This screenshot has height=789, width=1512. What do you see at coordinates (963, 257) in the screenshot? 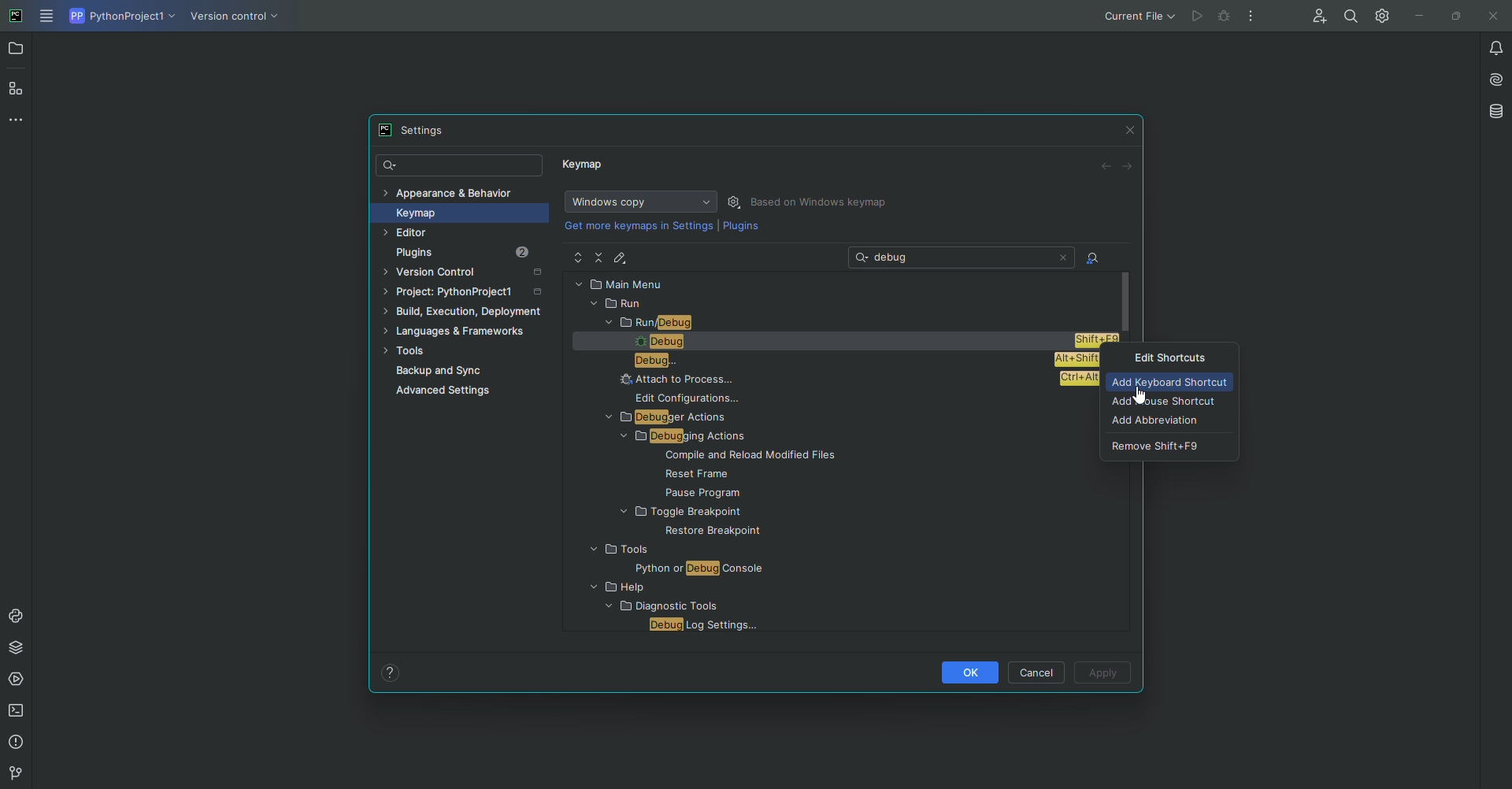
I see `Search: debug` at bounding box center [963, 257].